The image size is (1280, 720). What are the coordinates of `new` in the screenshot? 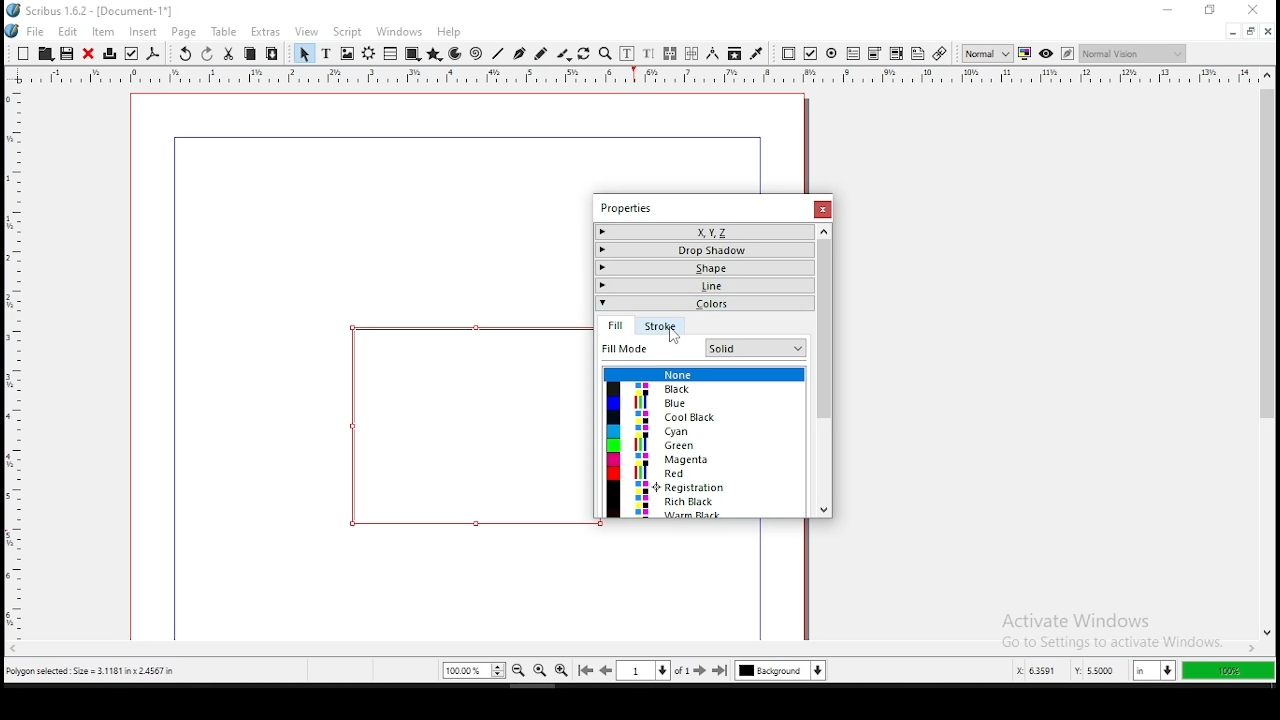 It's located at (23, 52).